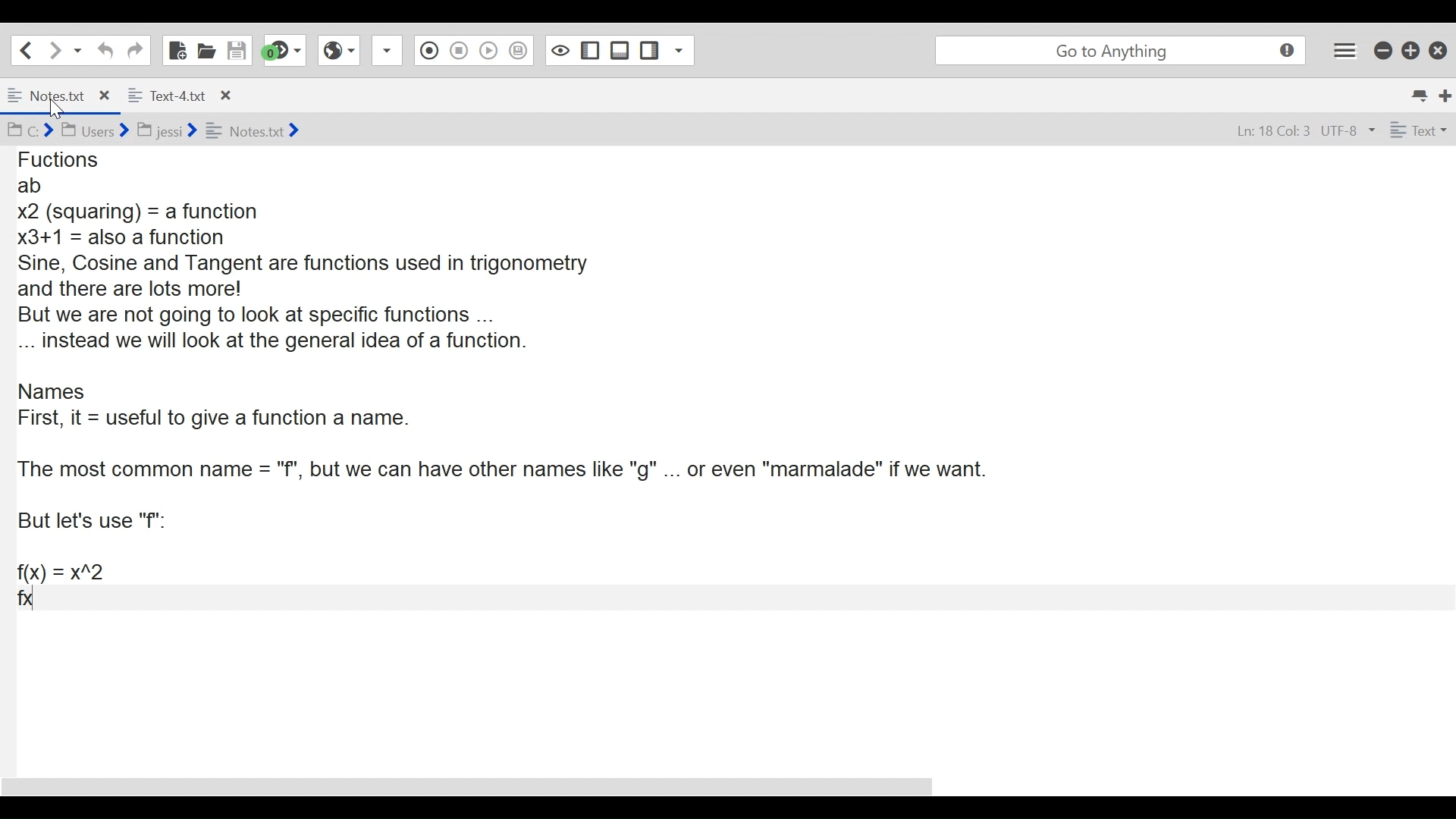 Image resolution: width=1456 pixels, height=819 pixels. What do you see at coordinates (1445, 93) in the screenshot?
I see `New Tab` at bounding box center [1445, 93].